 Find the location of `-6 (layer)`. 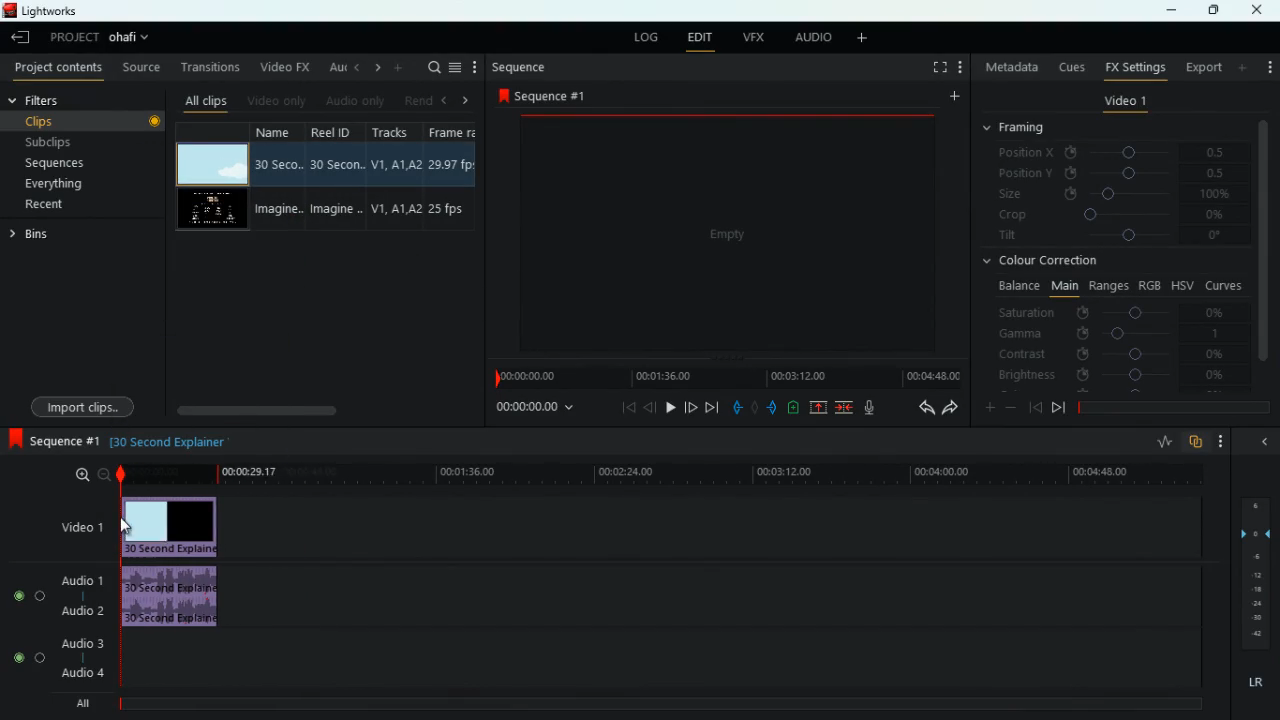

-6 (layer) is located at coordinates (1254, 556).